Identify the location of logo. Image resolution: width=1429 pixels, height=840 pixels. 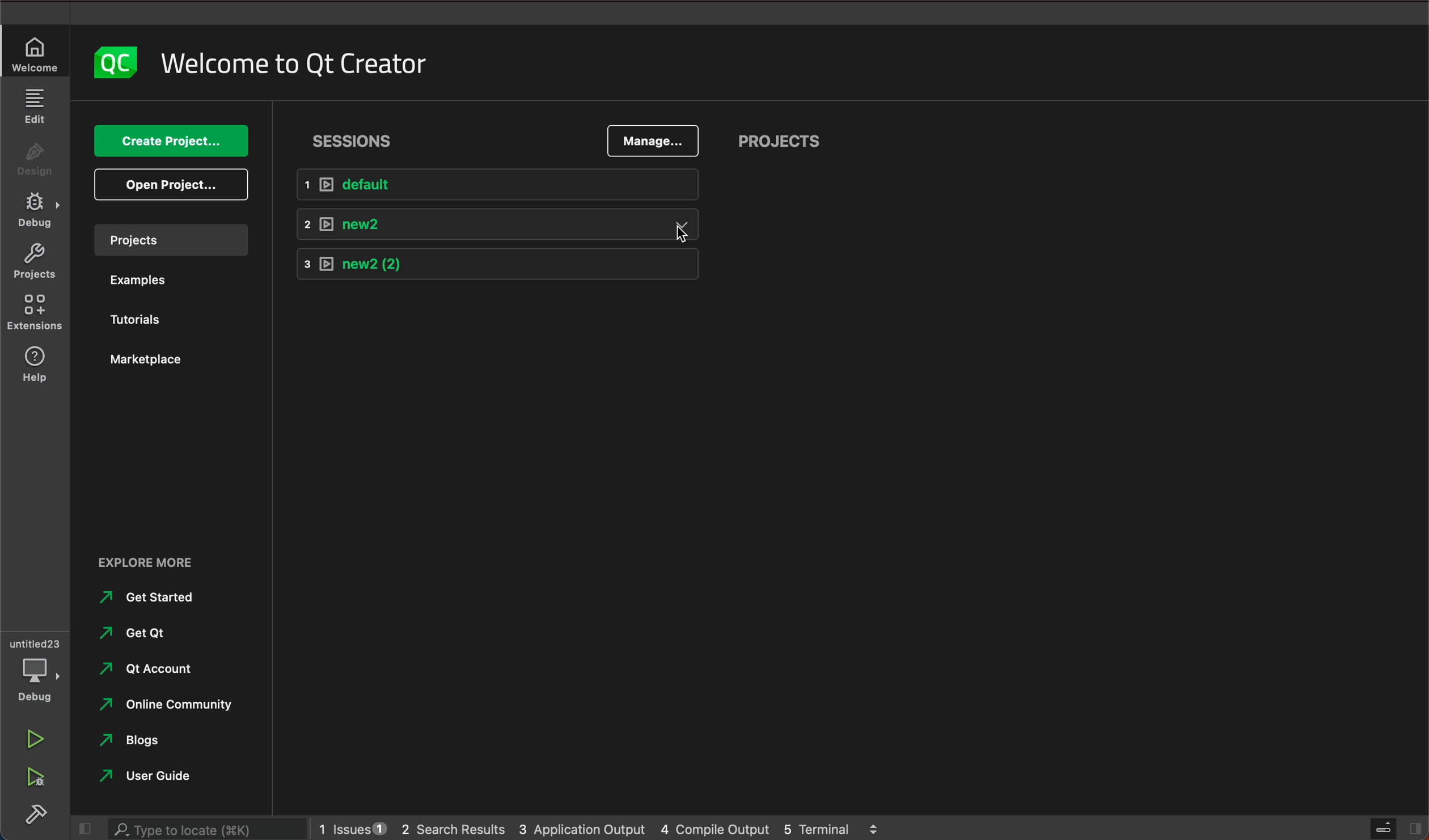
(115, 63).